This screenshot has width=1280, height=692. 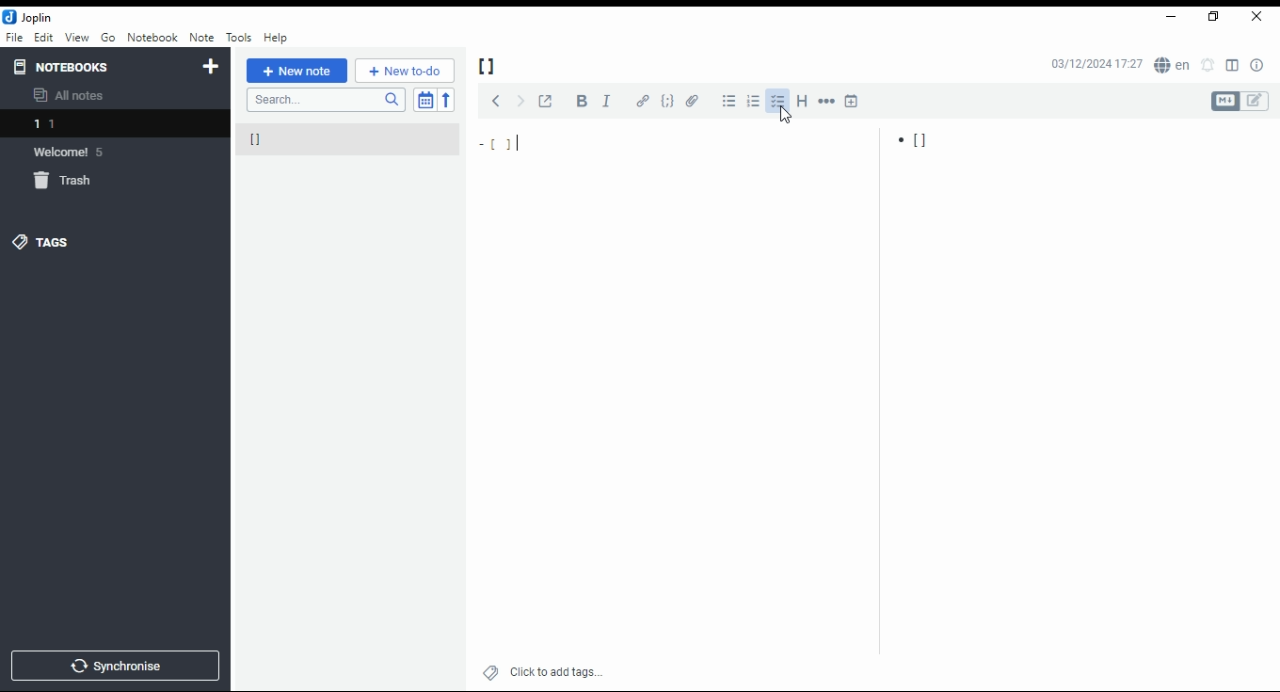 I want to click on close window, so click(x=1257, y=18).